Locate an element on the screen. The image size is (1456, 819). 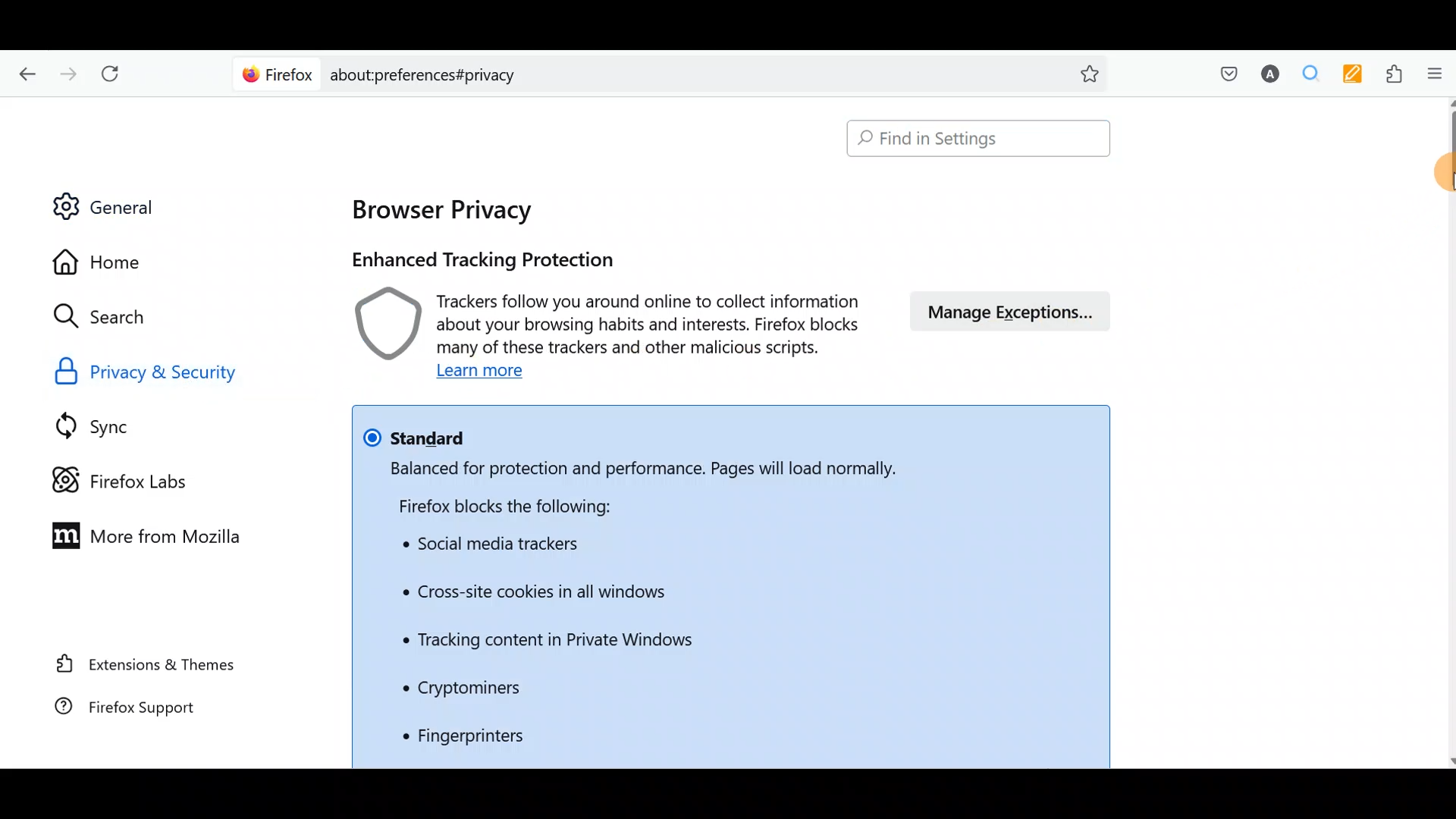
Extension & themes is located at coordinates (149, 667).